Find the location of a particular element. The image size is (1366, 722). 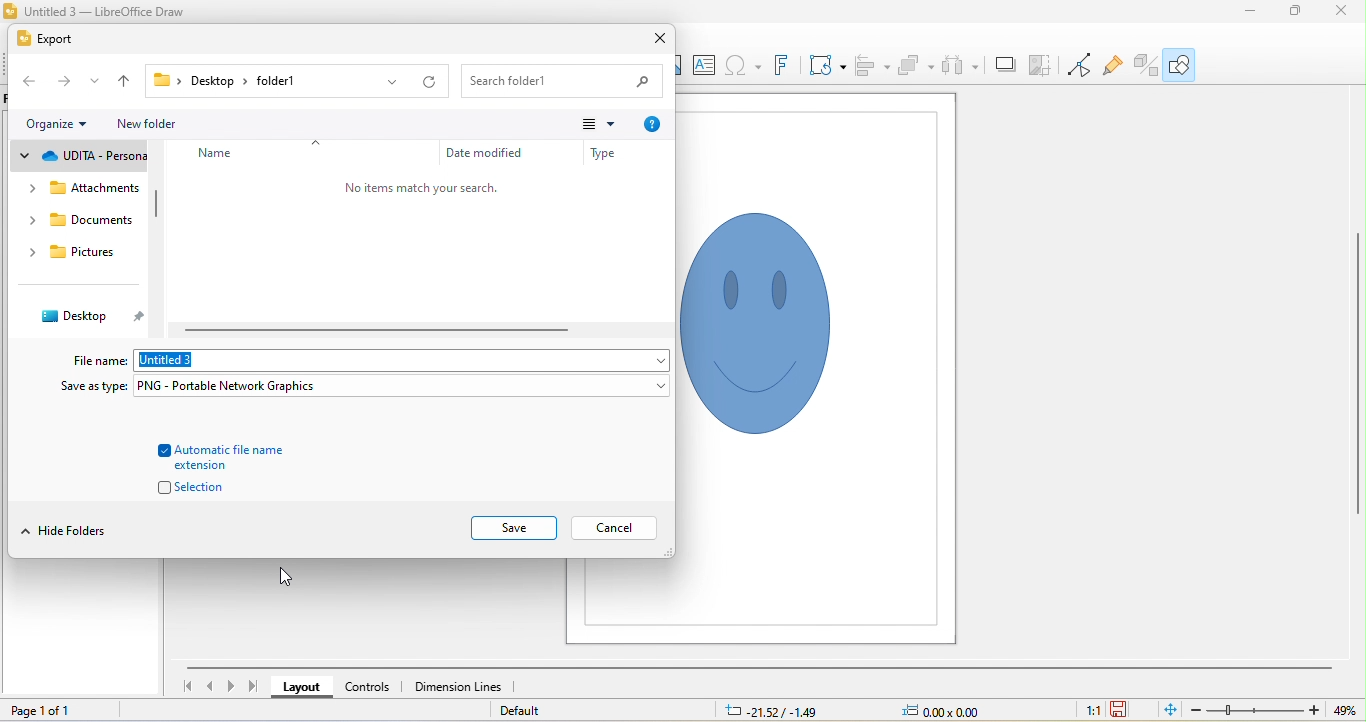

font work text is located at coordinates (781, 67).